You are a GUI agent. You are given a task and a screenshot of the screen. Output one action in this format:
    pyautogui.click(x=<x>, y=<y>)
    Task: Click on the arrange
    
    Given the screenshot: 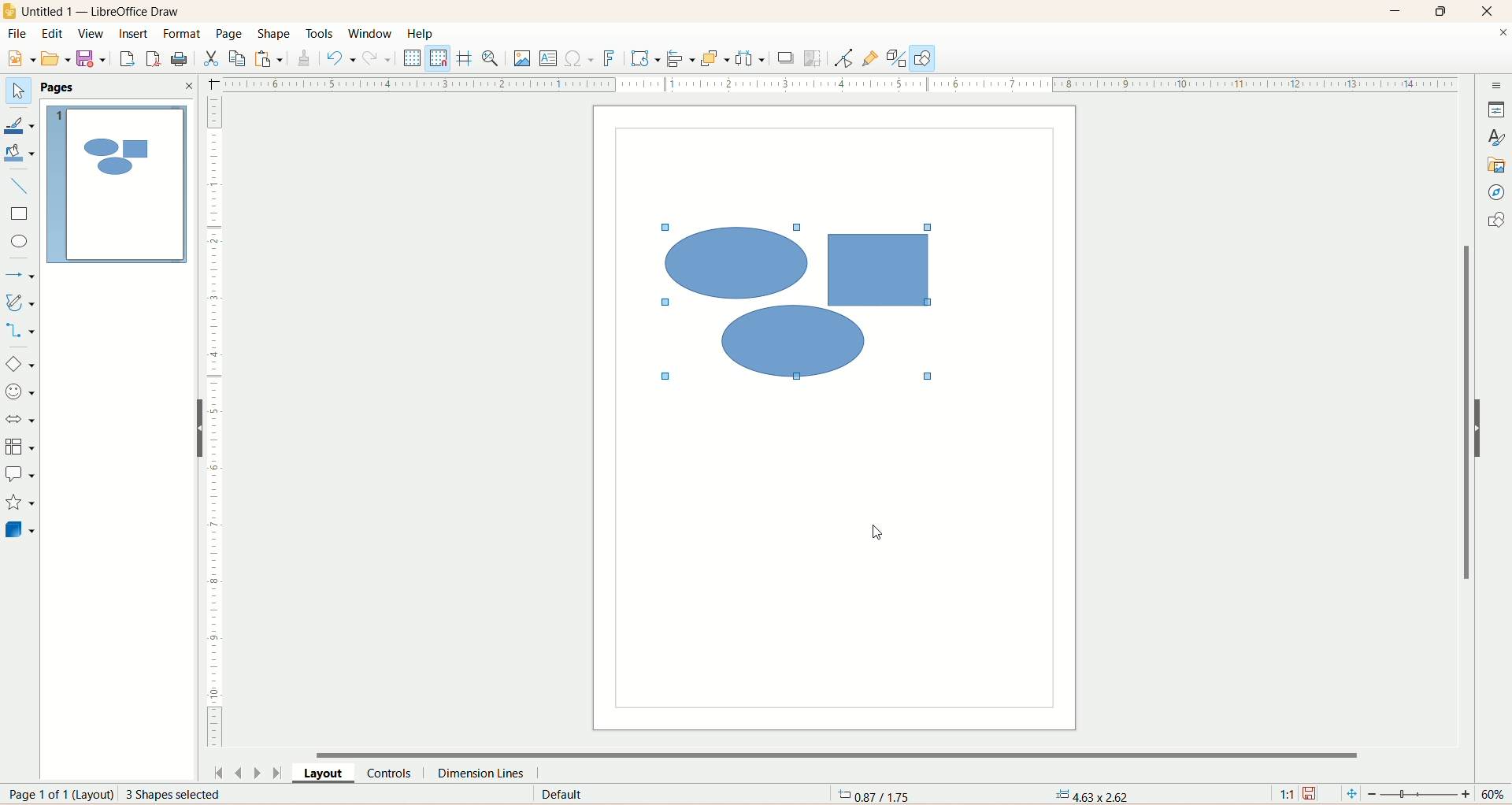 What is the action you would take?
    pyautogui.click(x=714, y=60)
    